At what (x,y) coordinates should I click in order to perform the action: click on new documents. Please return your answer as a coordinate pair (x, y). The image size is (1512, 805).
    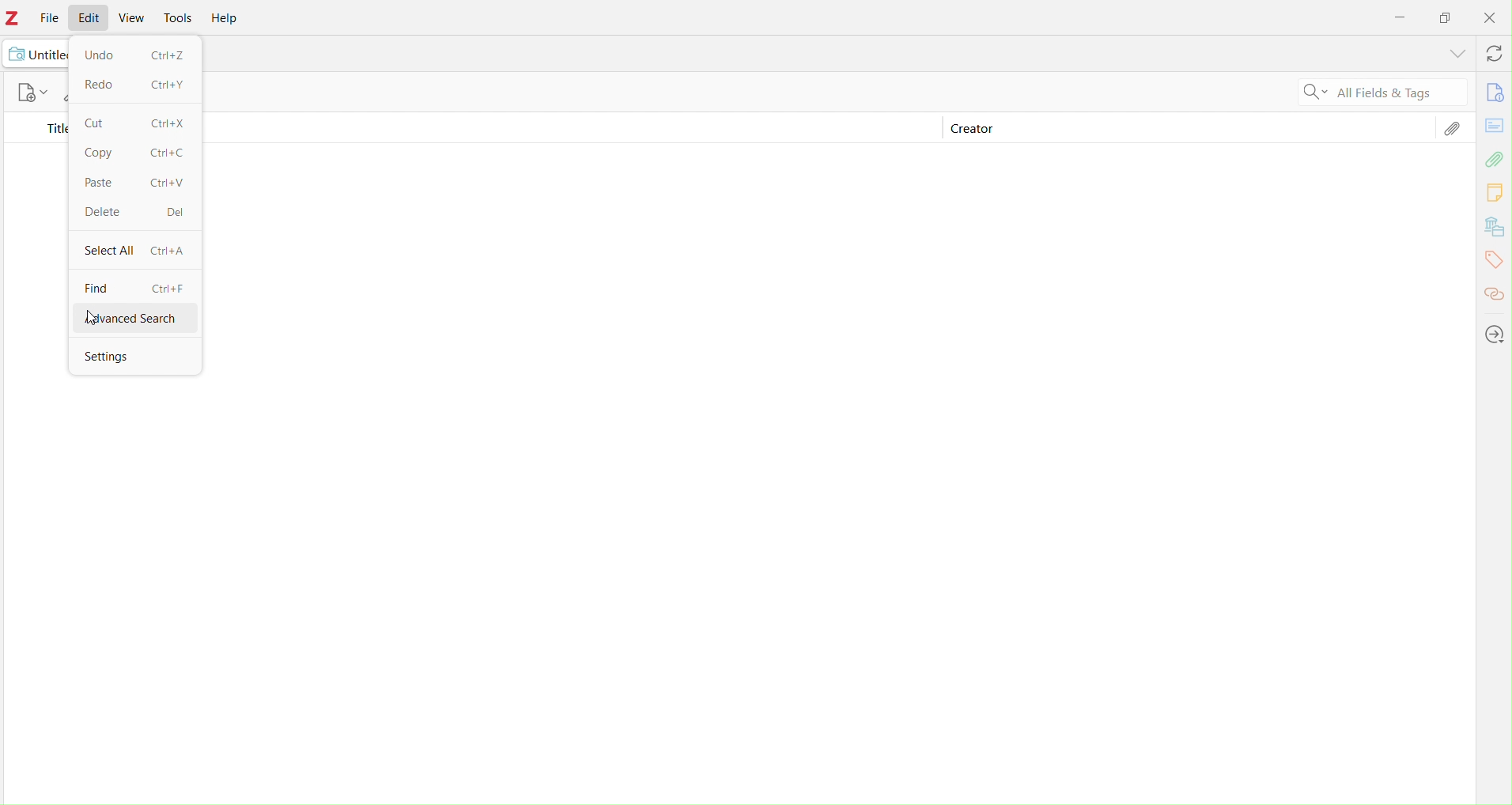
    Looking at the image, I should click on (31, 93).